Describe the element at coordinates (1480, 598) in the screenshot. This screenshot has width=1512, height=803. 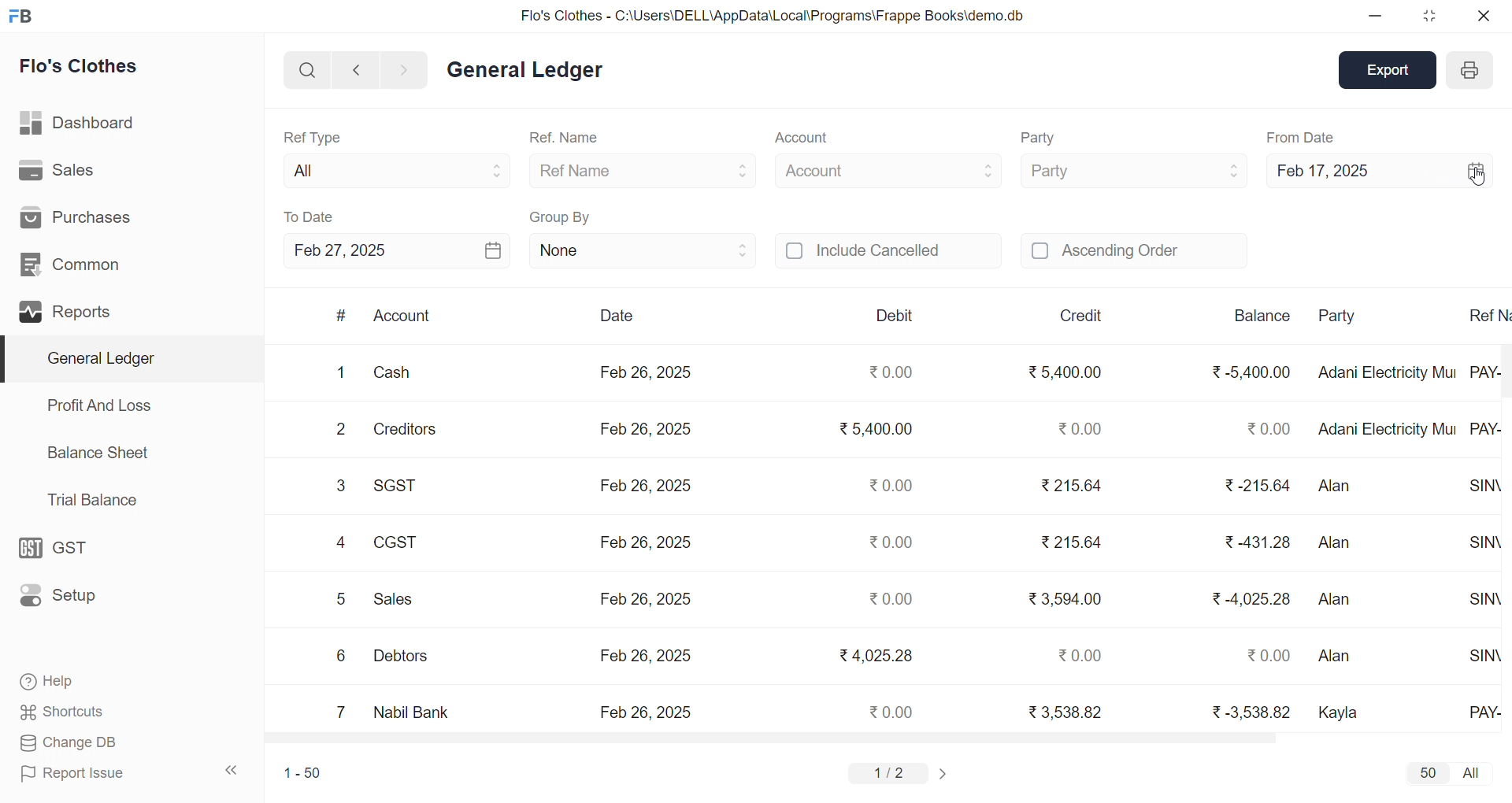
I see `SINV-` at that location.